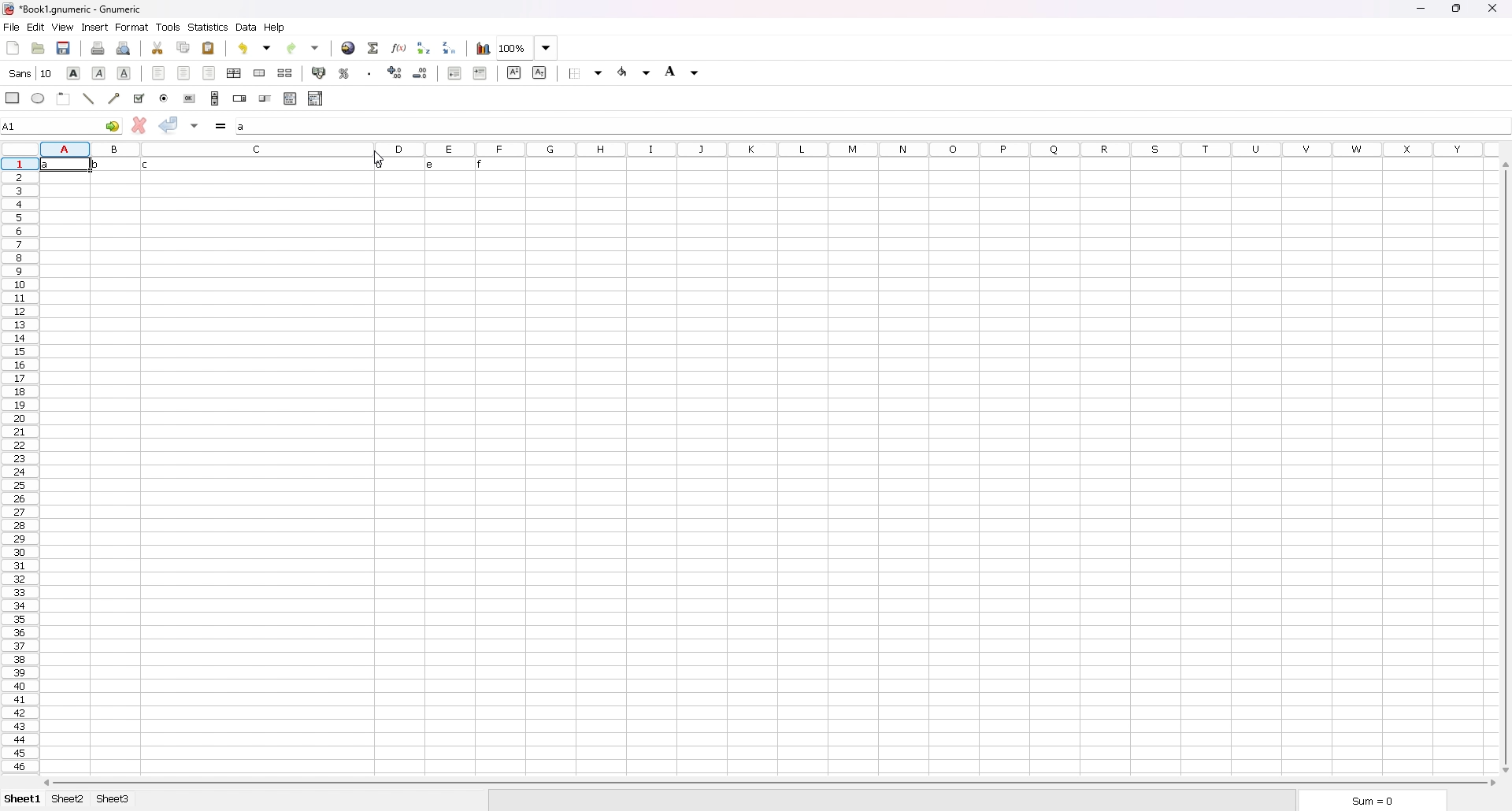 Image resolution: width=1512 pixels, height=811 pixels. Describe the element at coordinates (455, 72) in the screenshot. I see `decrease indent` at that location.